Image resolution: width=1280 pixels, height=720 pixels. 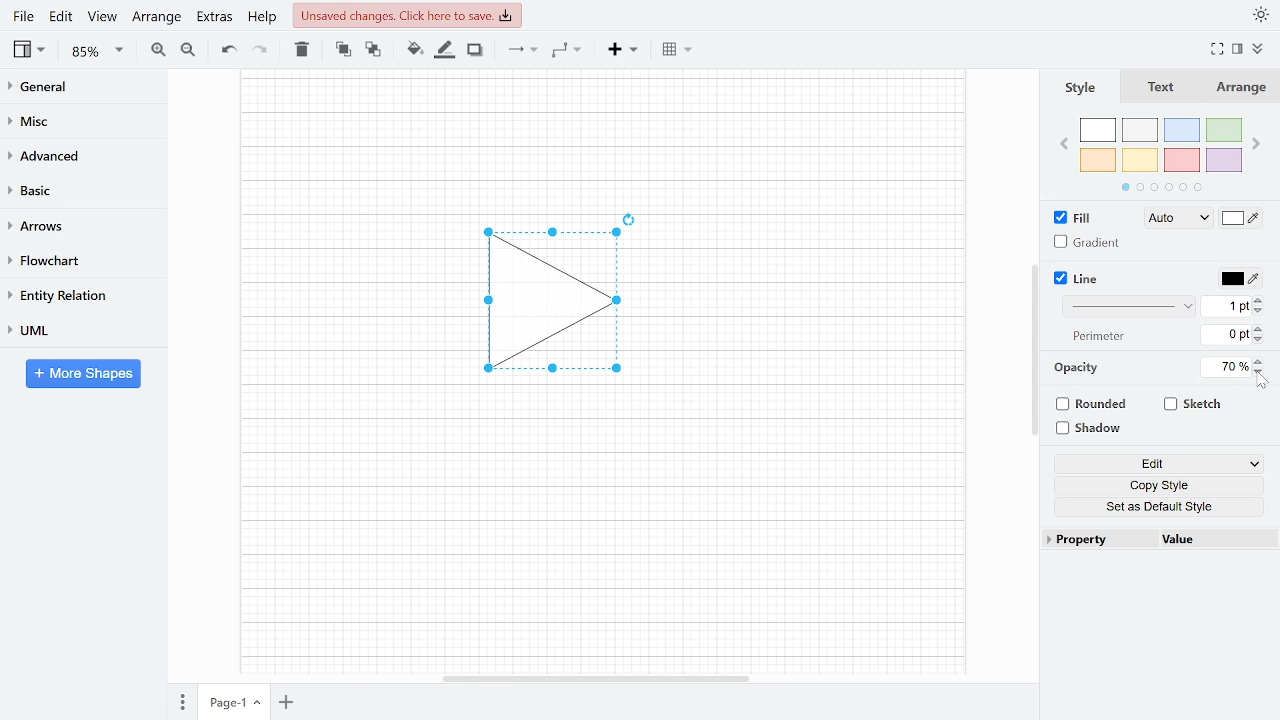 What do you see at coordinates (1194, 404) in the screenshot?
I see `Sketch` at bounding box center [1194, 404].